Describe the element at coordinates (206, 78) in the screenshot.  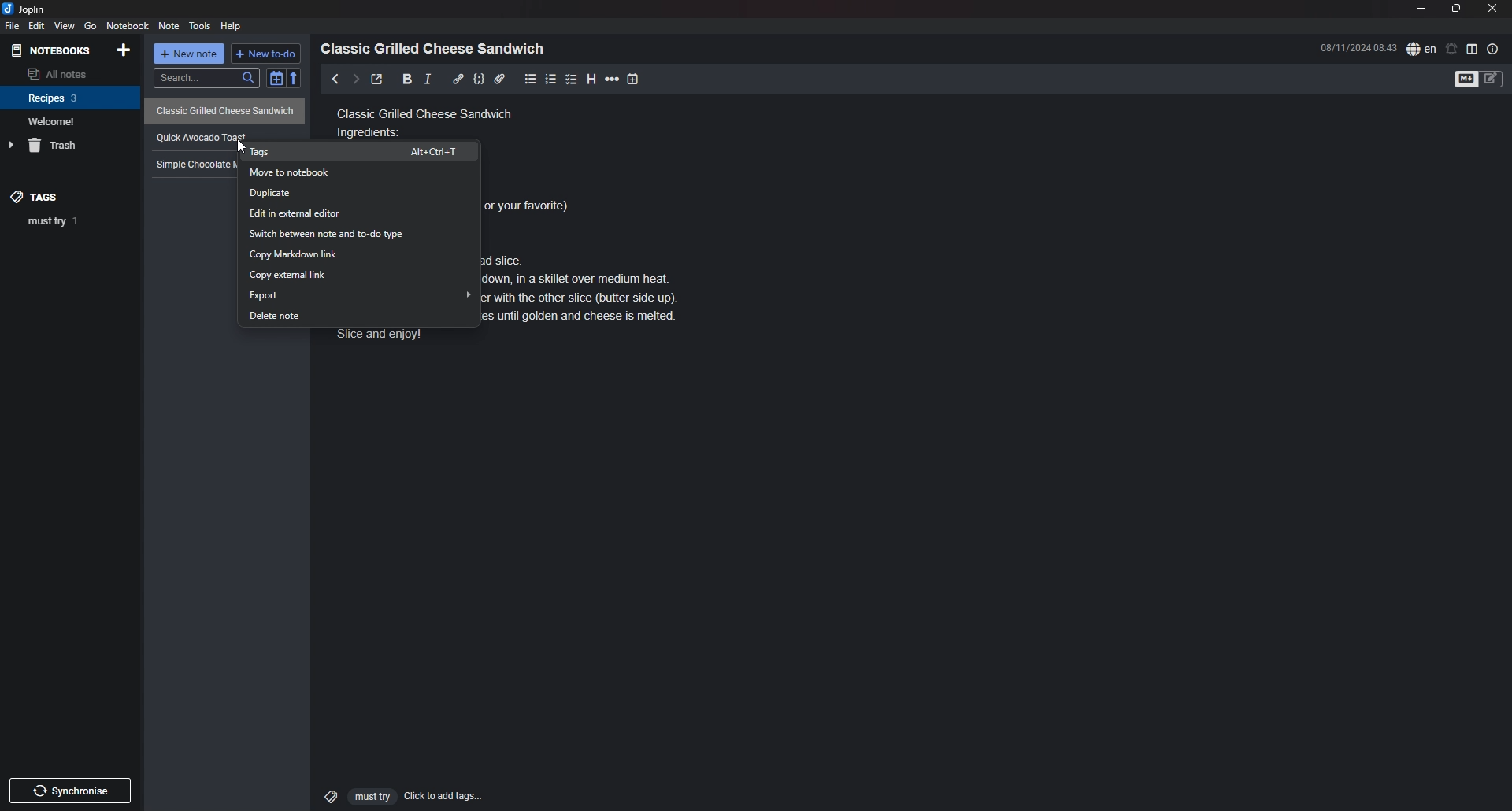
I see `search` at that location.